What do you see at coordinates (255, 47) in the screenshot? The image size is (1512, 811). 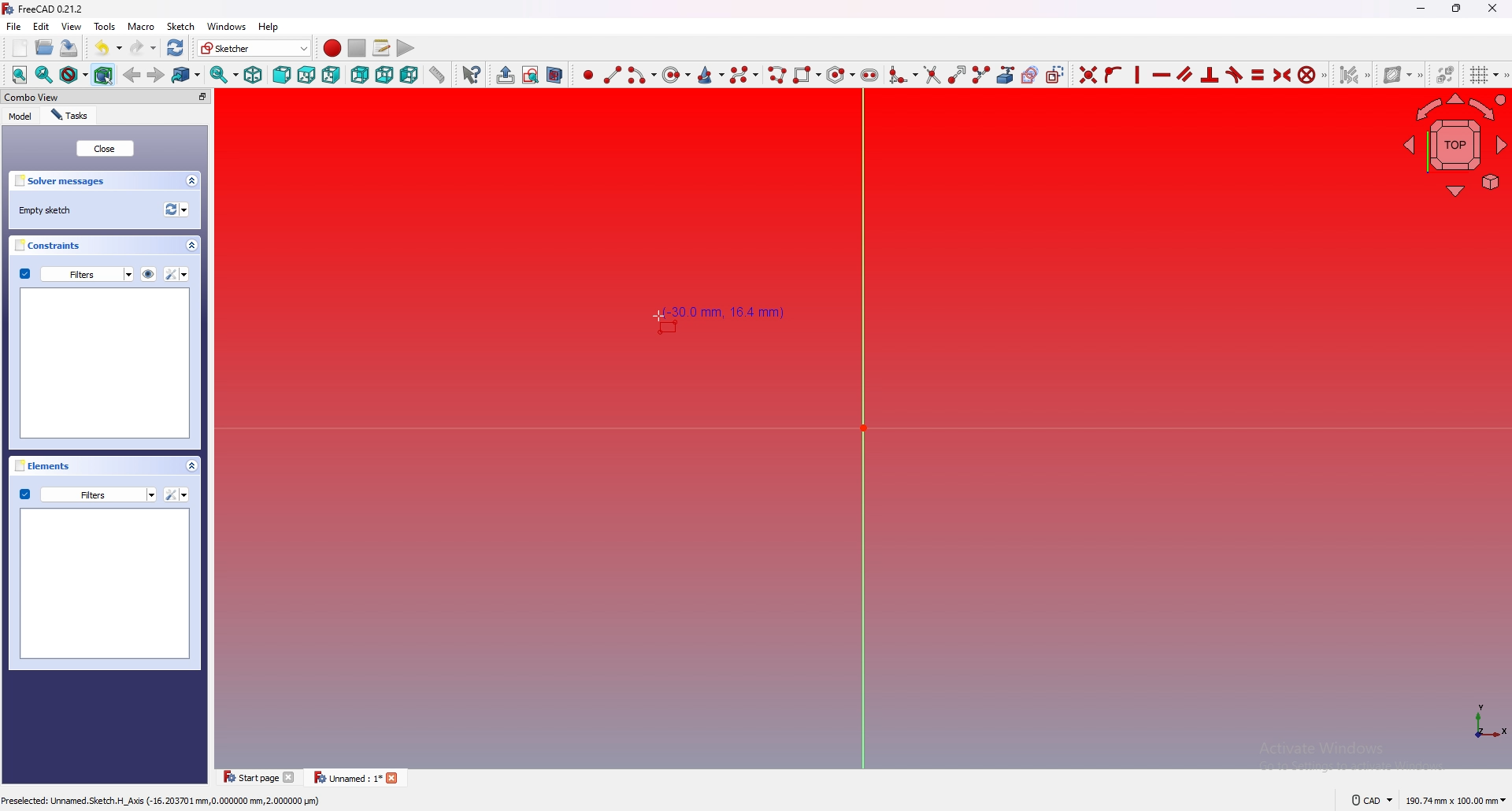 I see `switch workbench` at bounding box center [255, 47].